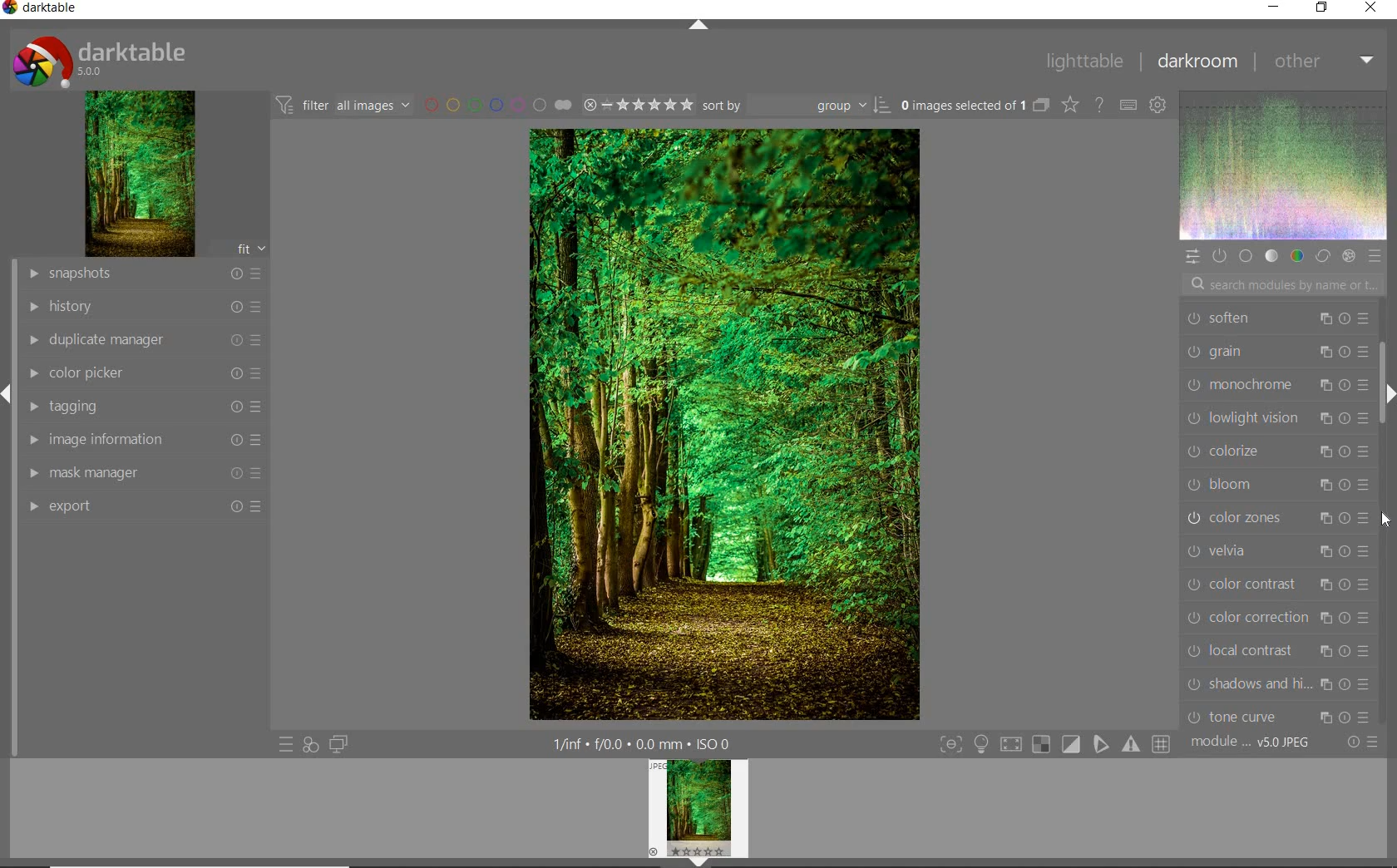  I want to click on color contrast, so click(1278, 584).